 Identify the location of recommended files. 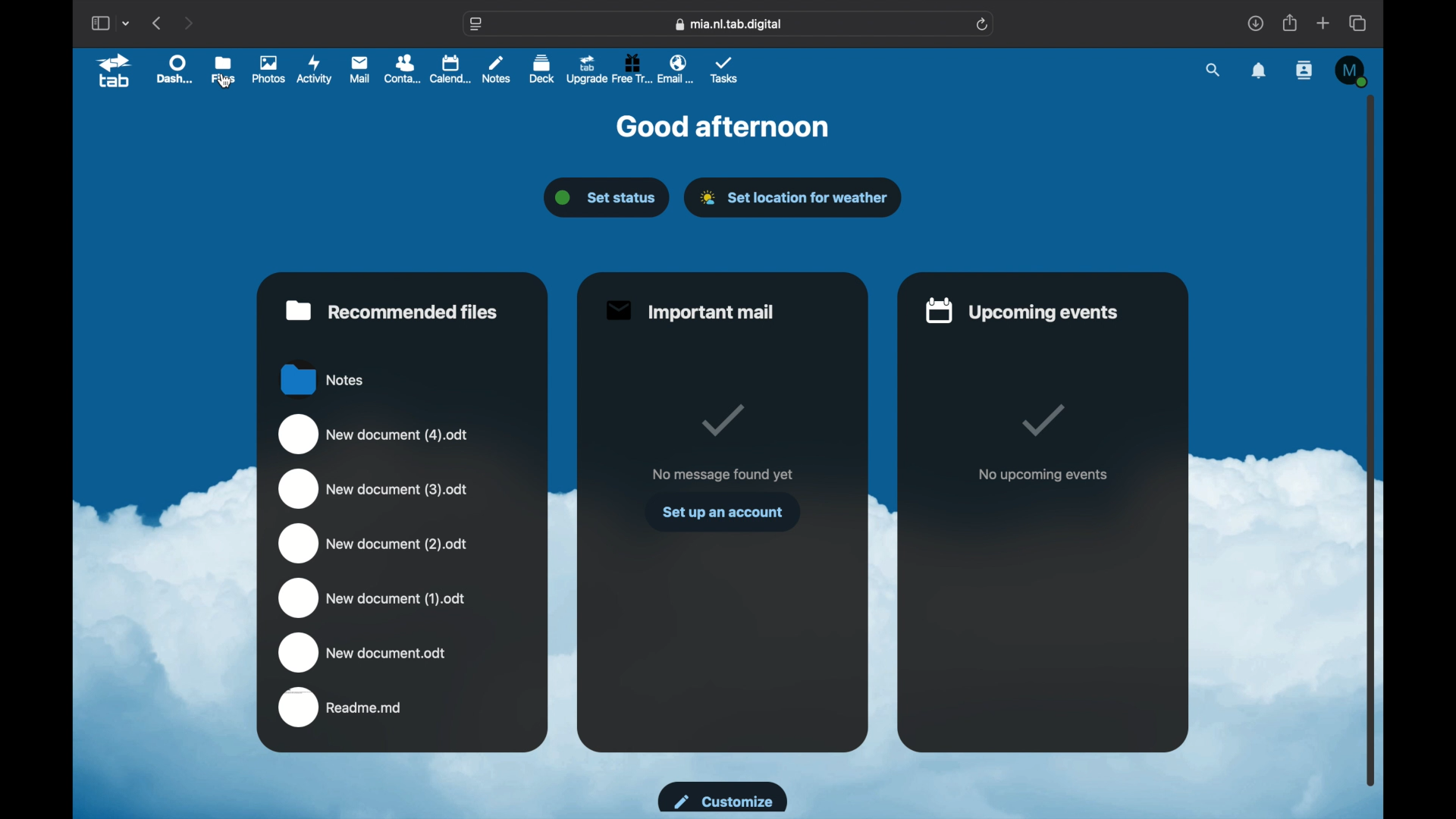
(391, 311).